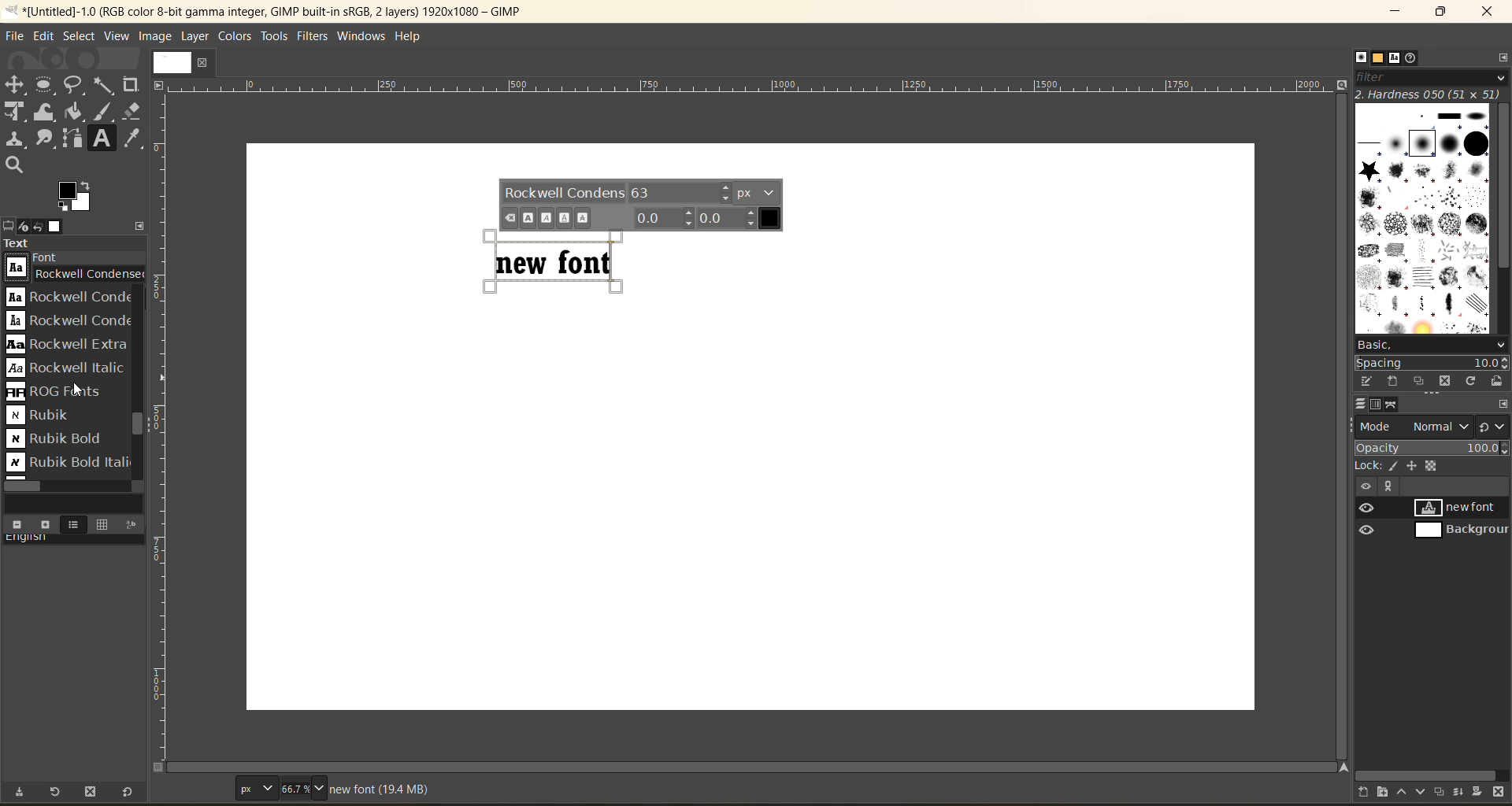 This screenshot has height=806, width=1512. I want to click on layers, so click(1361, 405).